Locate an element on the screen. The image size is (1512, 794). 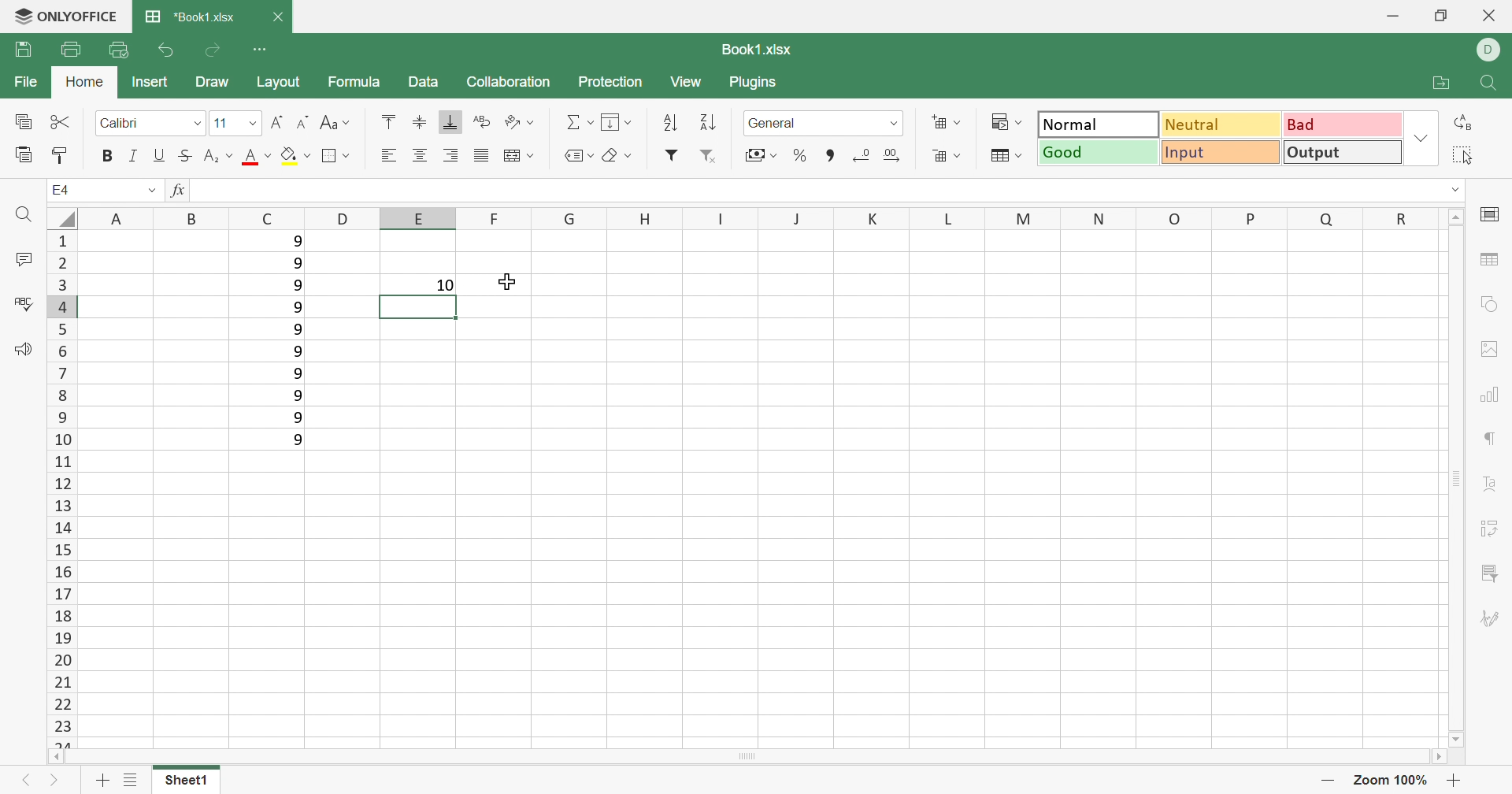
Redo is located at coordinates (212, 50).